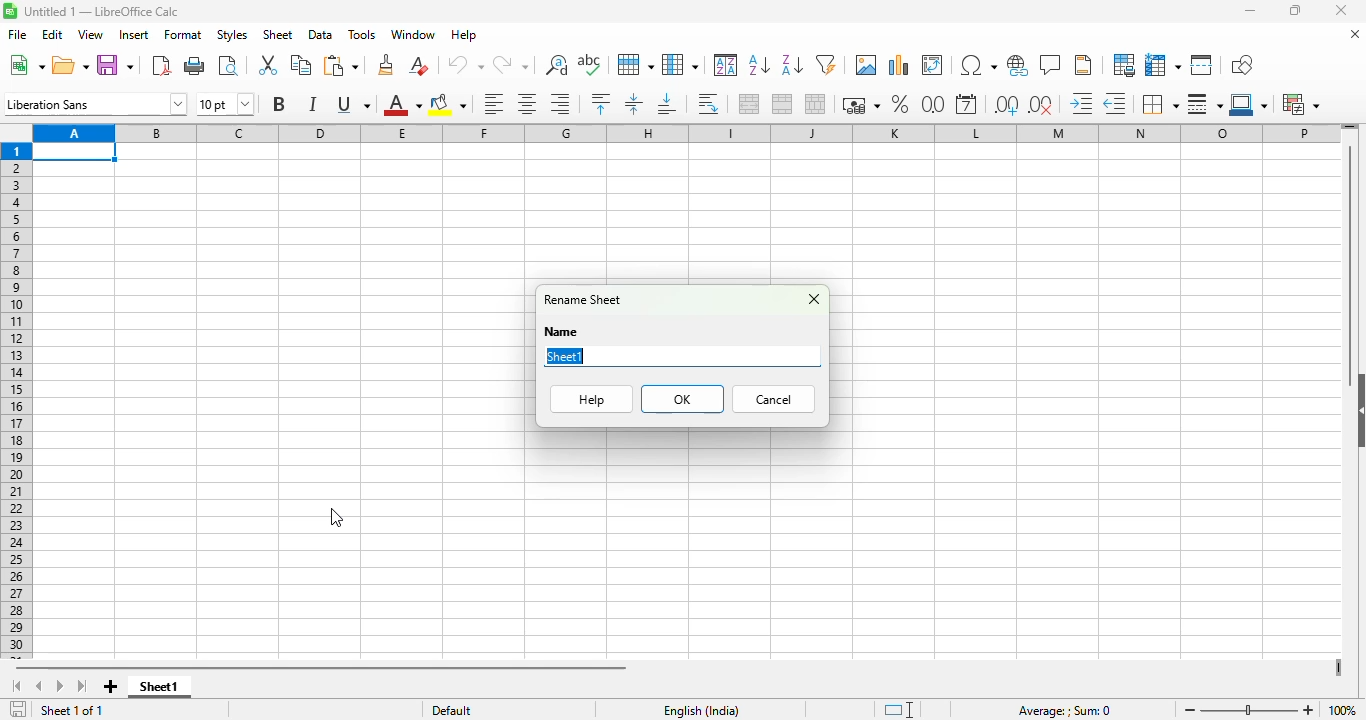 The width and height of the screenshot is (1366, 720). Describe the element at coordinates (18, 35) in the screenshot. I see `file` at that location.